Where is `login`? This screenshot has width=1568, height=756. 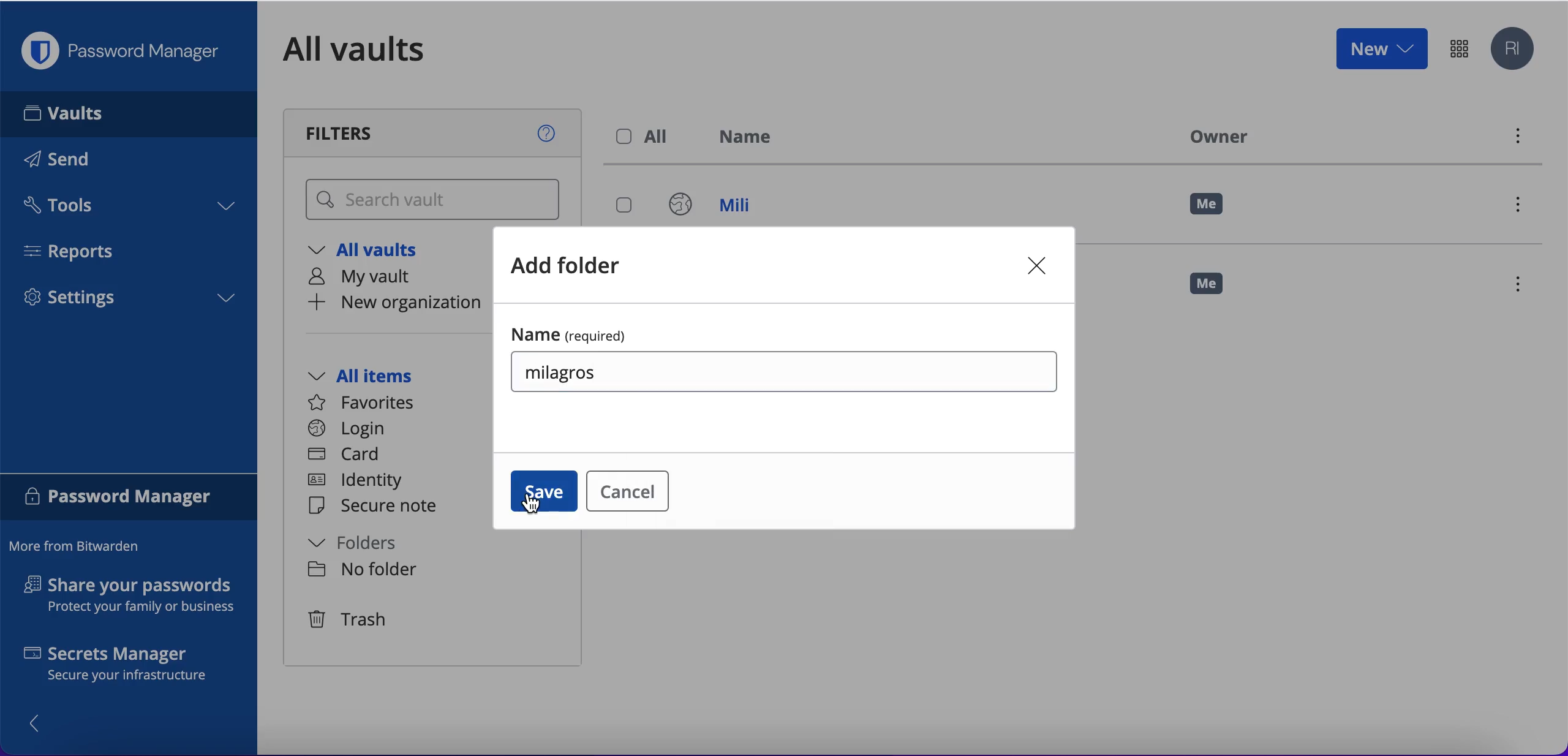
login is located at coordinates (347, 429).